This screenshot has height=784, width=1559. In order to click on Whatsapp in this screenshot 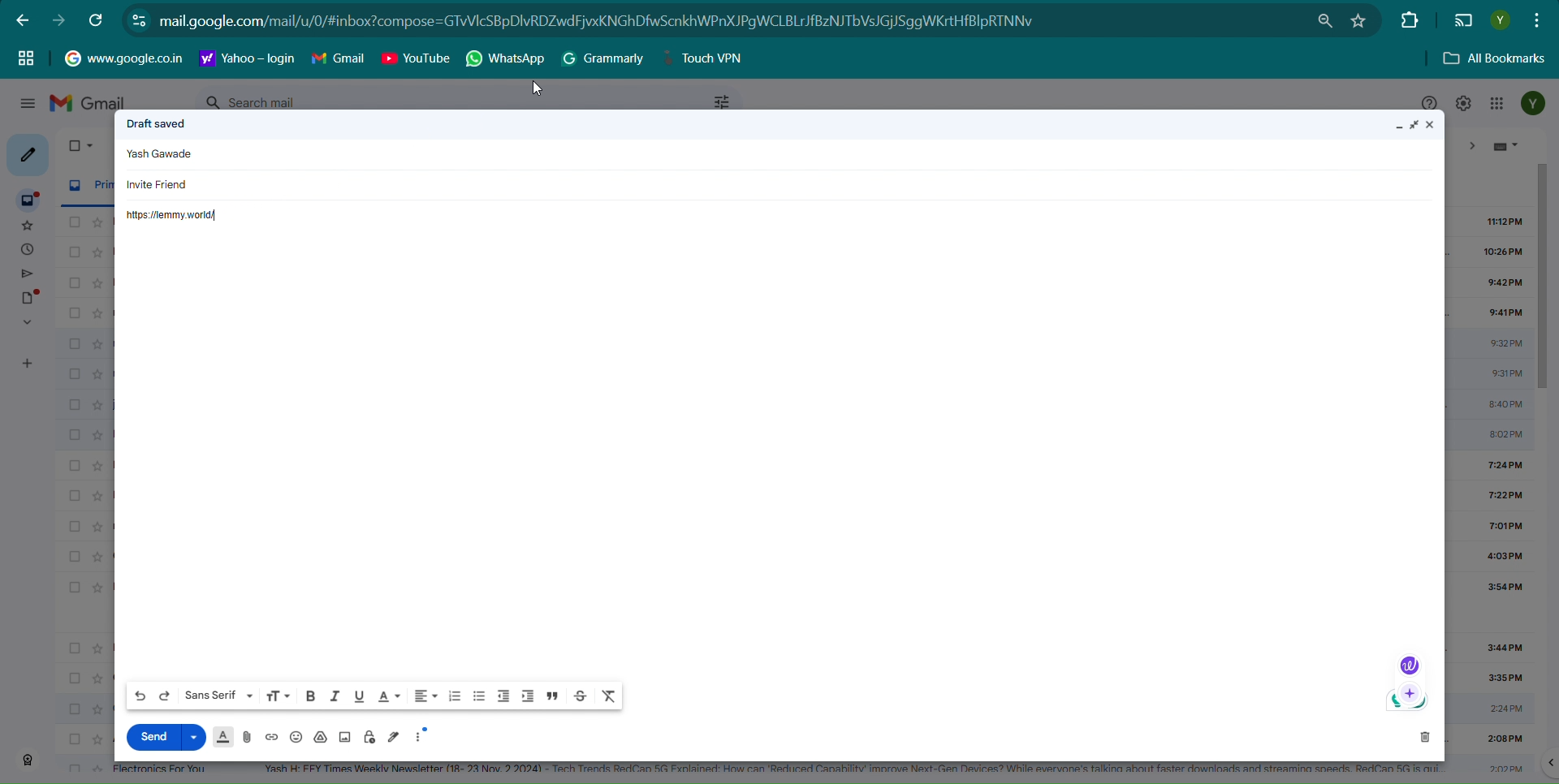, I will do `click(507, 59)`.